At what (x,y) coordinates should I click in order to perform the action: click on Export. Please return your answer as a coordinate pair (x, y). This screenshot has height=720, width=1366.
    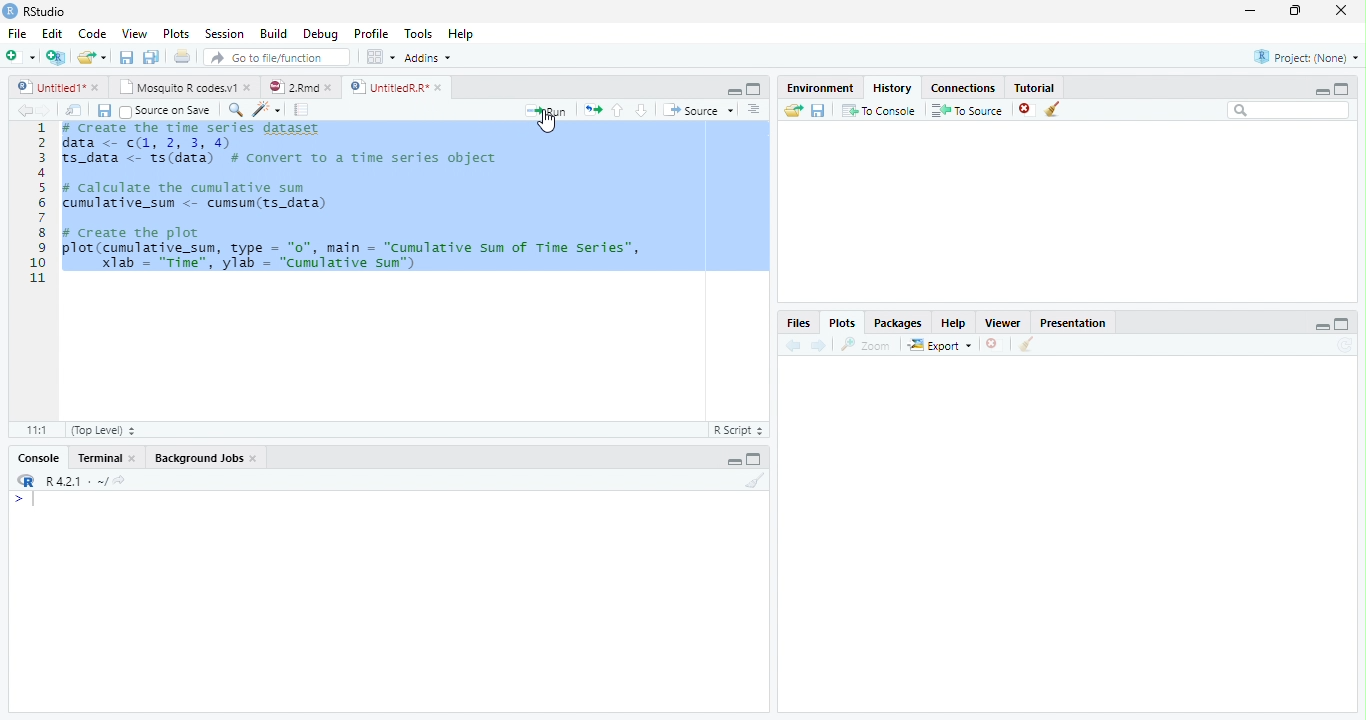
    Looking at the image, I should click on (939, 347).